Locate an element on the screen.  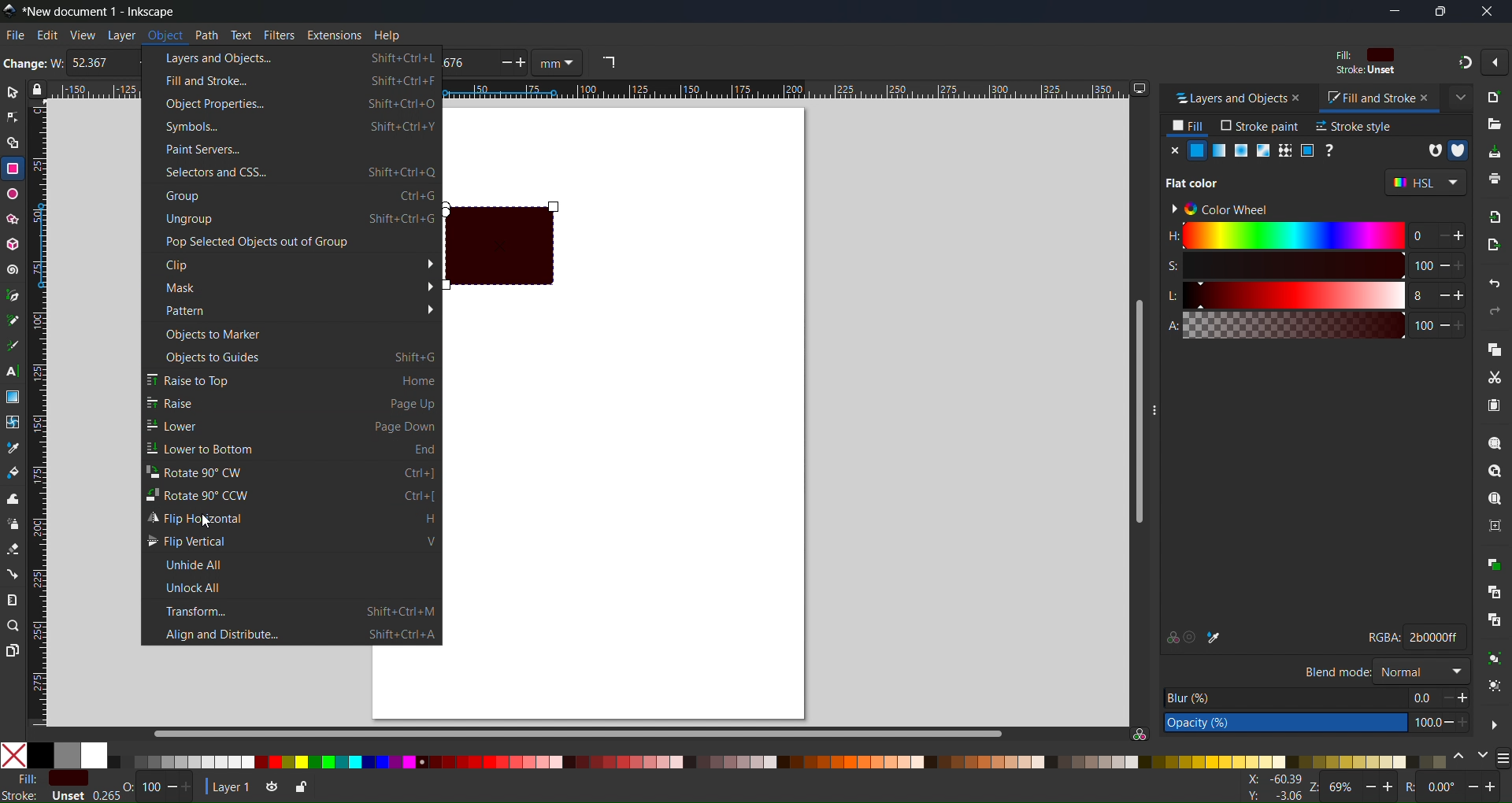
Flat color is located at coordinates (1197, 150).